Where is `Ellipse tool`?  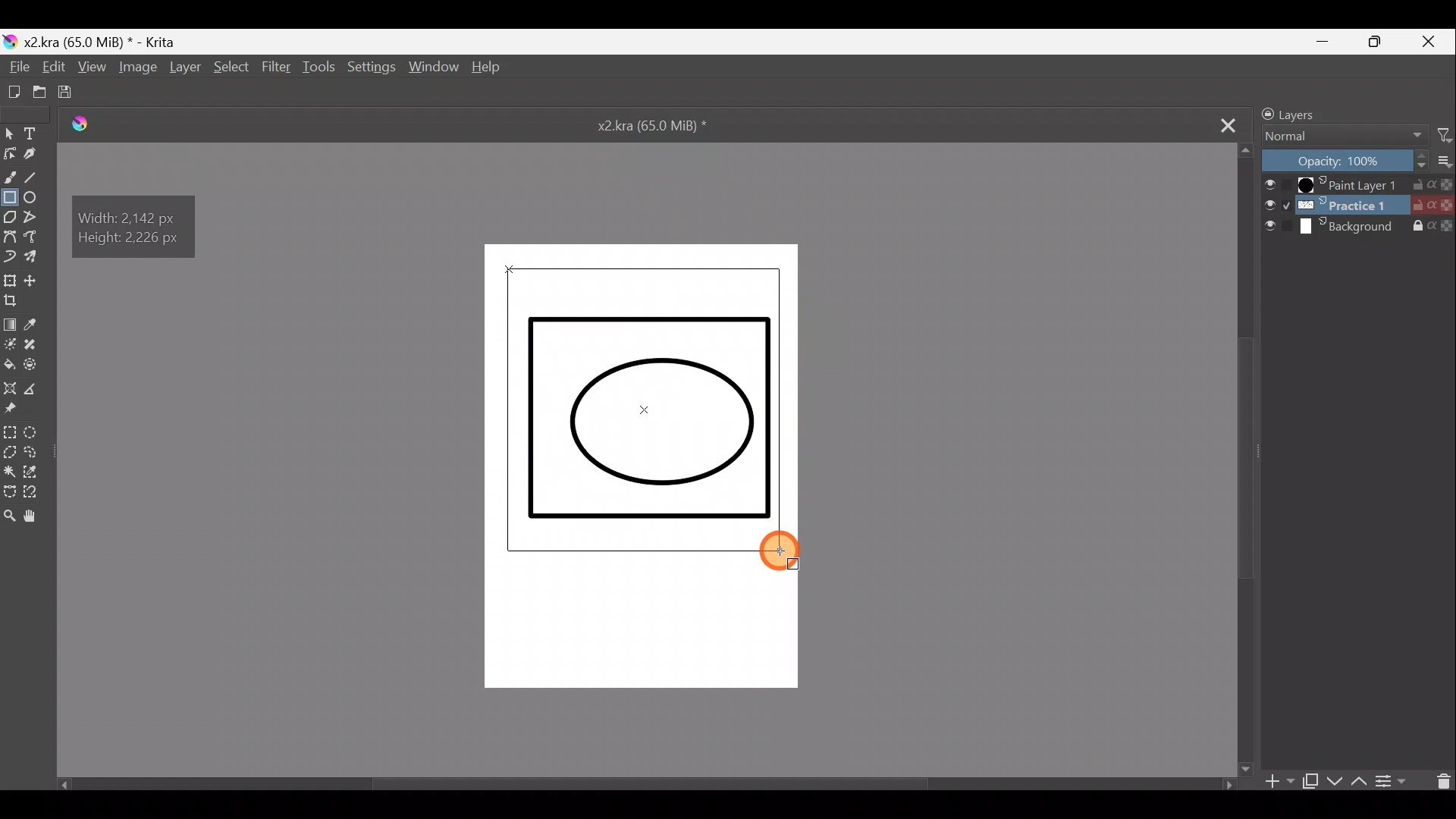
Ellipse tool is located at coordinates (36, 200).